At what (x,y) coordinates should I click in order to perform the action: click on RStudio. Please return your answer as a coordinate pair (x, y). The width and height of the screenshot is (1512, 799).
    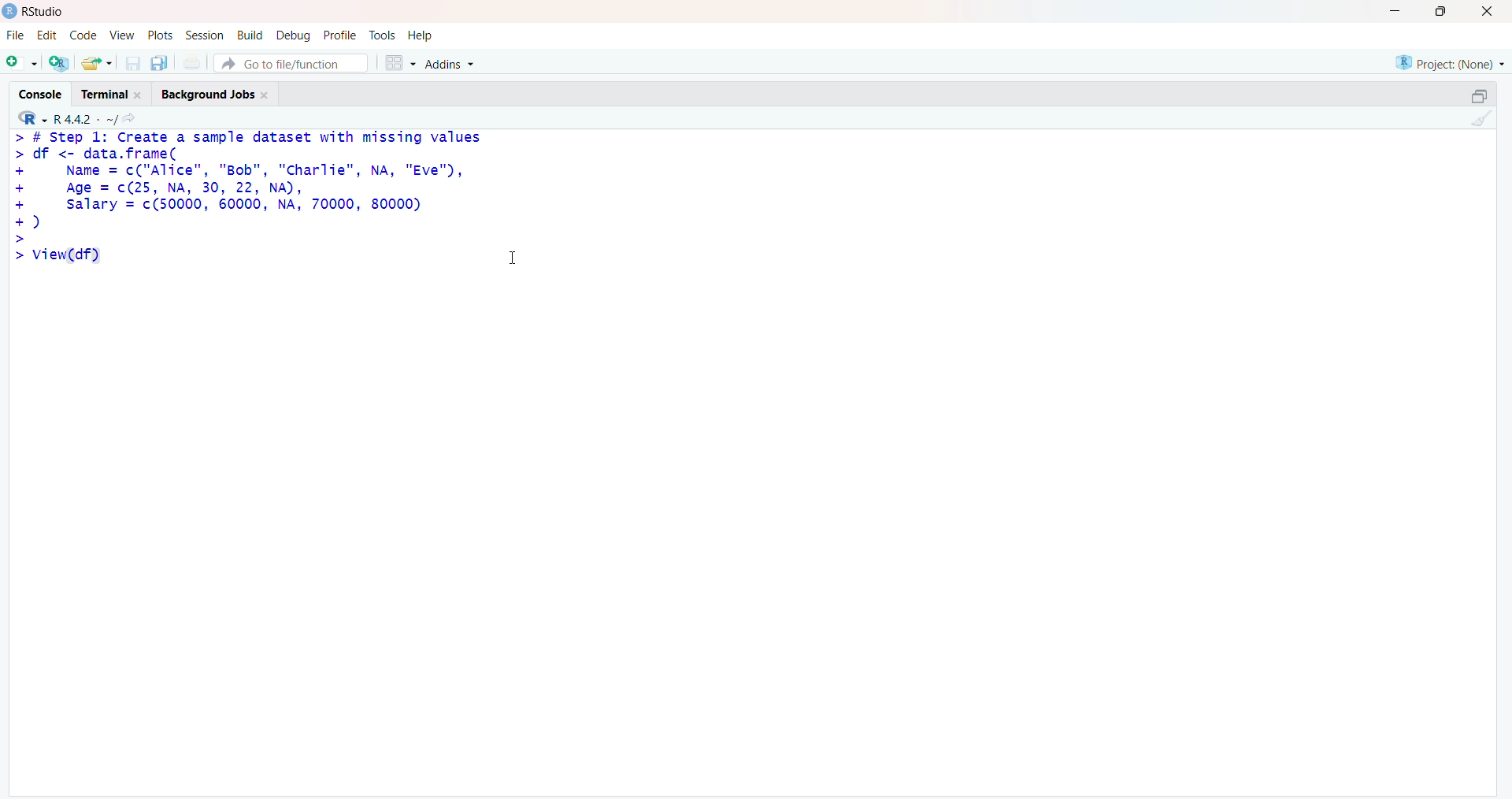
    Looking at the image, I should click on (33, 13).